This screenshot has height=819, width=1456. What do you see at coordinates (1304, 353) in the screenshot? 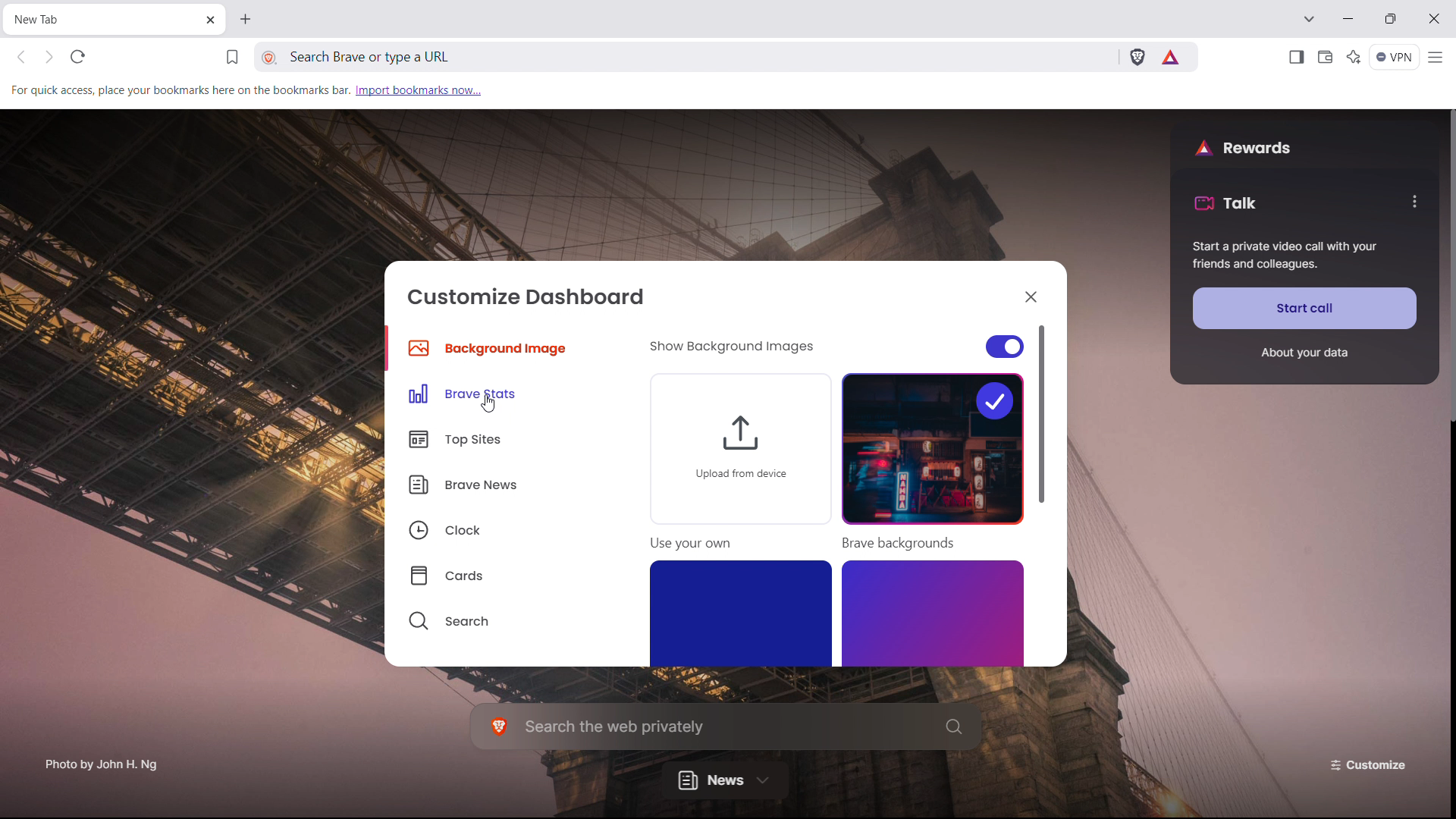
I see `about your data` at bounding box center [1304, 353].